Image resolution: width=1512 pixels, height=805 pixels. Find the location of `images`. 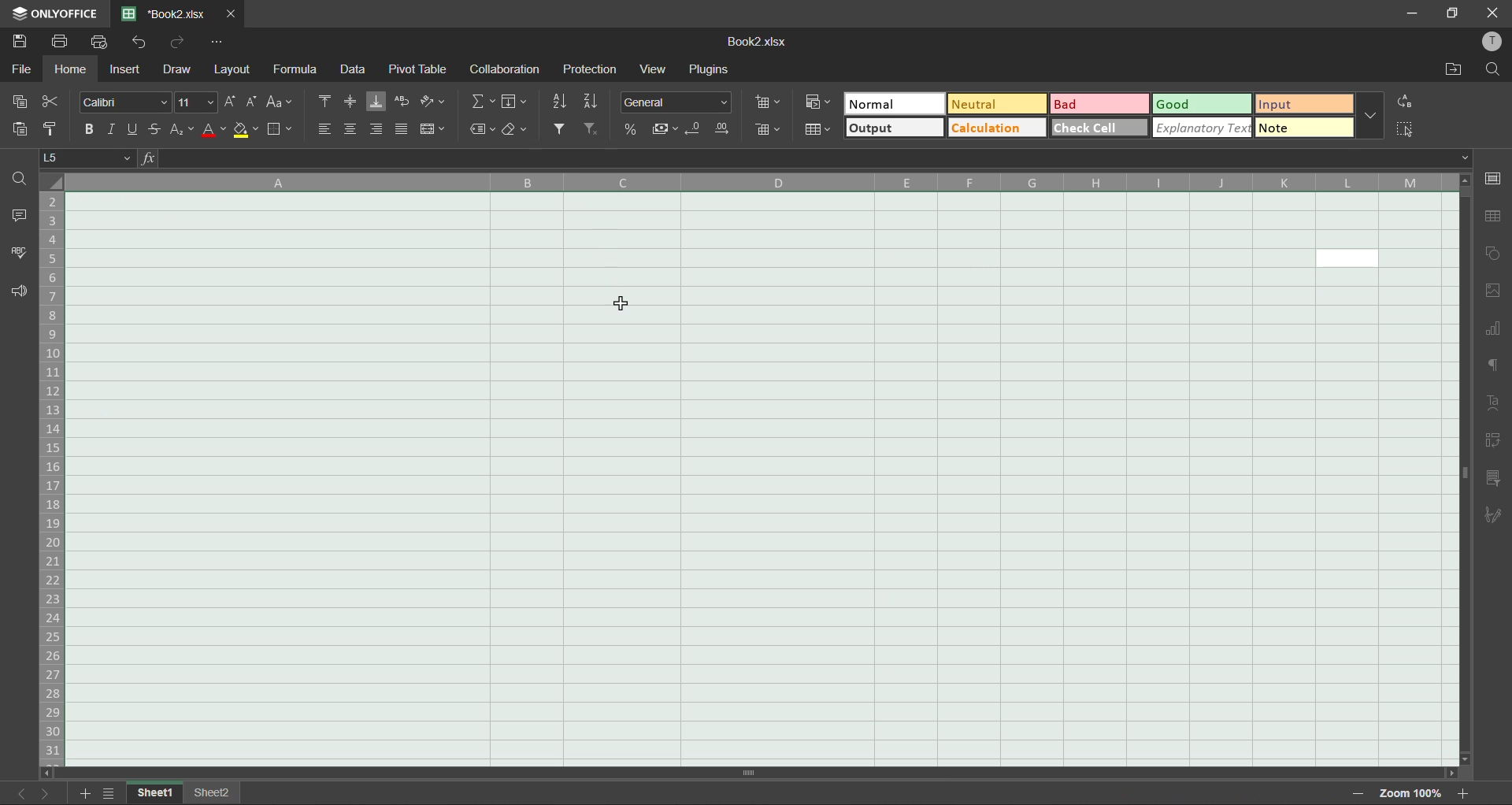

images is located at coordinates (1492, 293).